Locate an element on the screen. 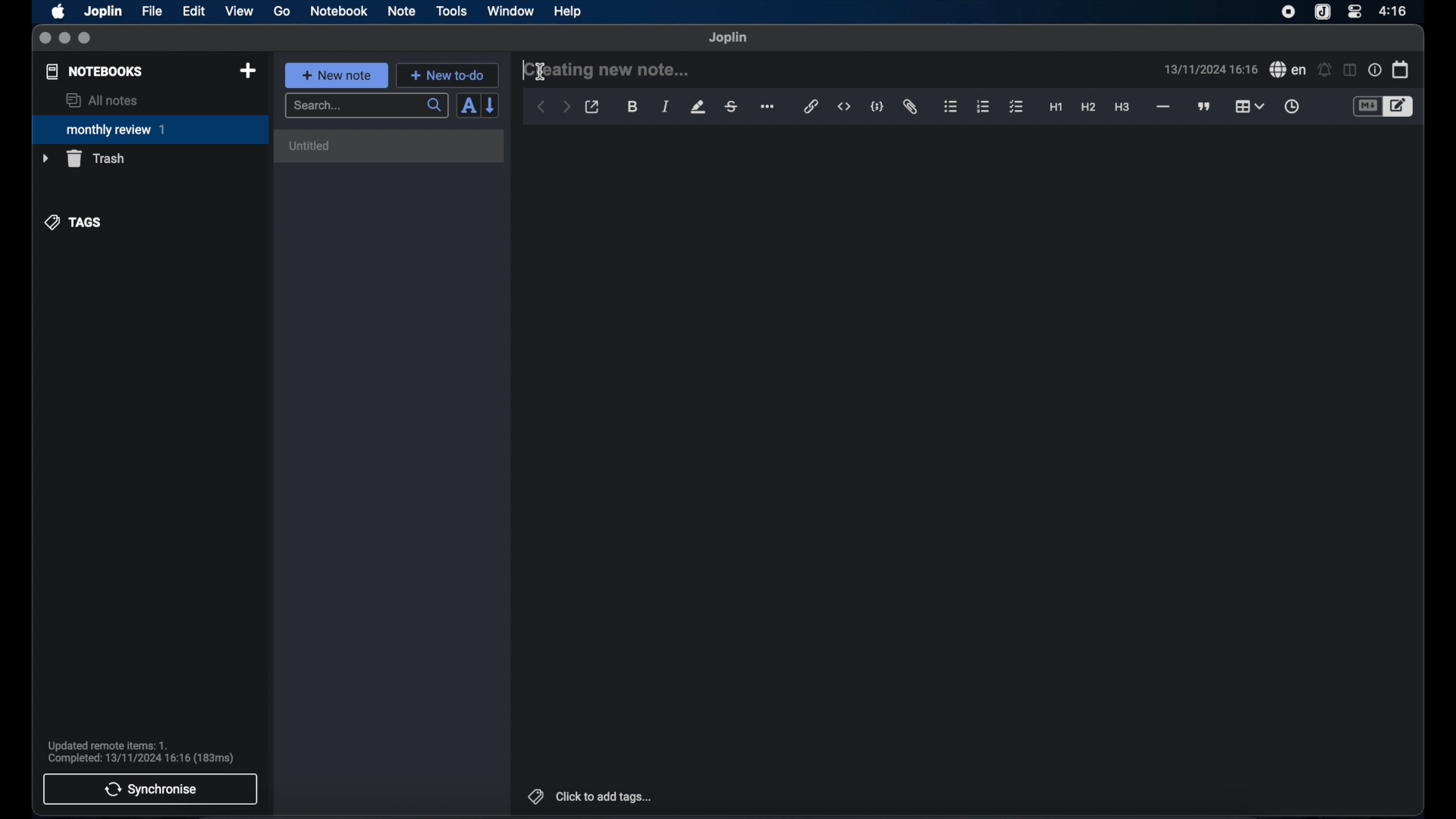  tools is located at coordinates (451, 11).